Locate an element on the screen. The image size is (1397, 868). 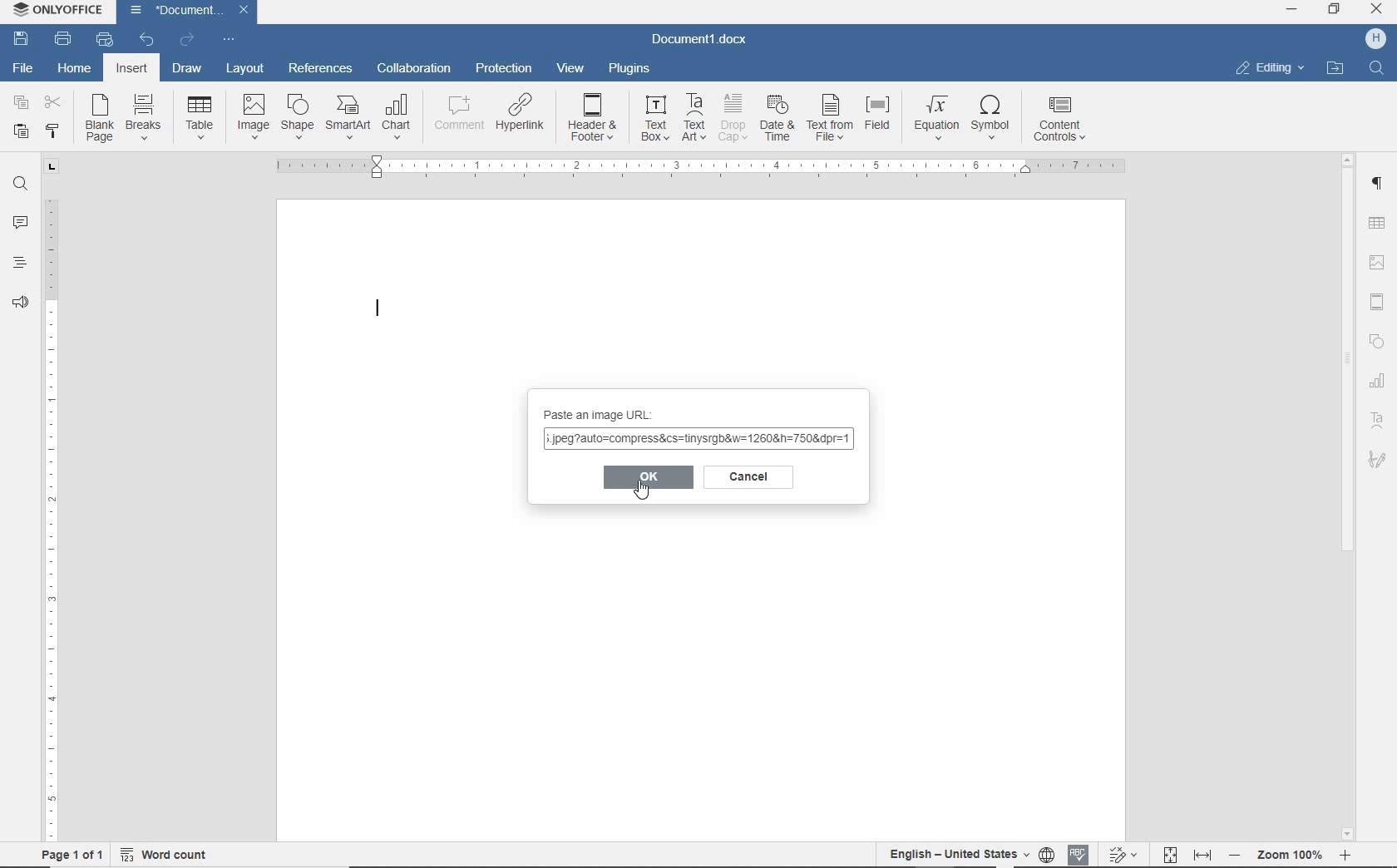
H (user account) is located at coordinates (1376, 38).